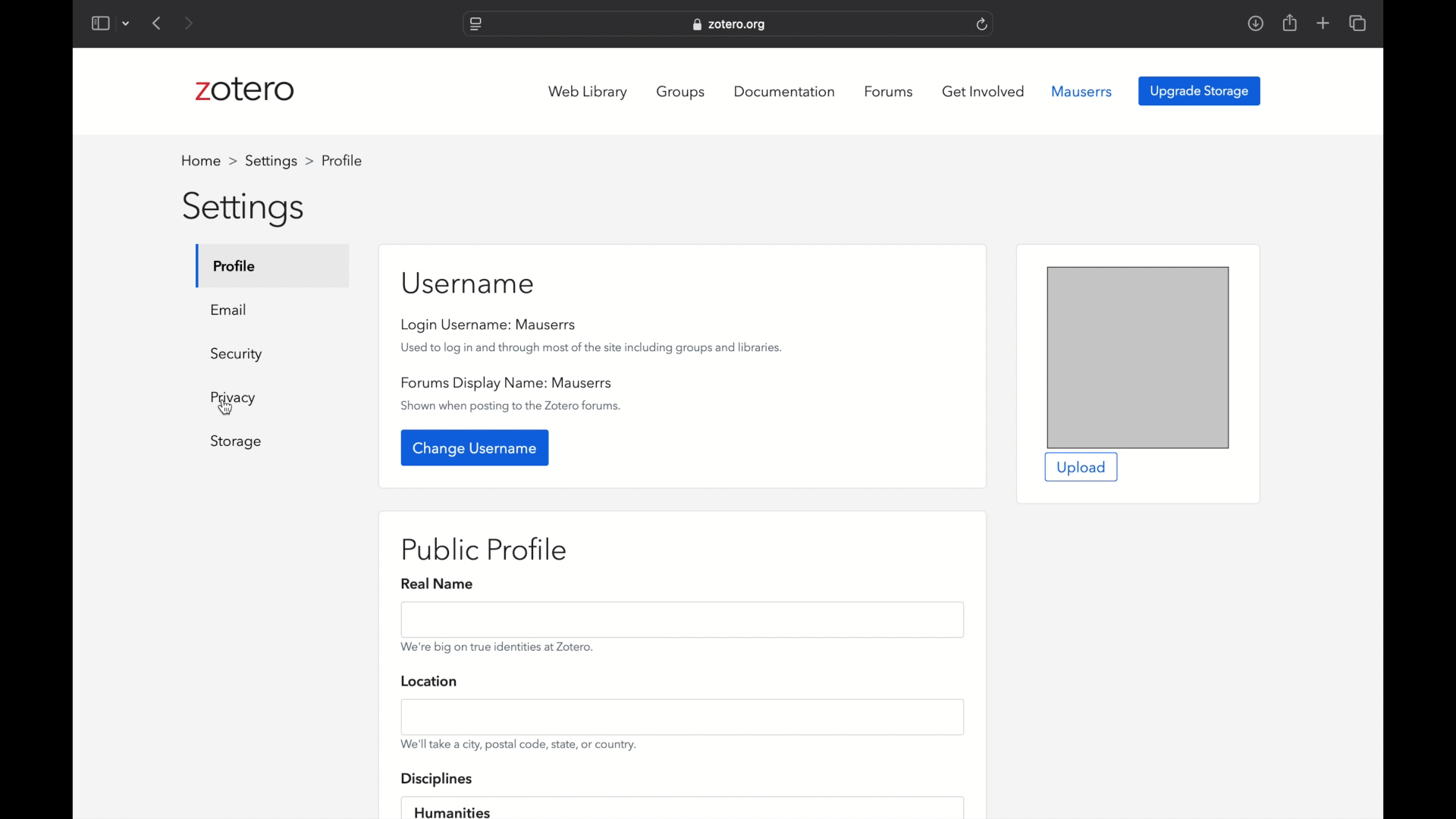 Image resolution: width=1456 pixels, height=819 pixels. Describe the element at coordinates (438, 585) in the screenshot. I see `real name` at that location.